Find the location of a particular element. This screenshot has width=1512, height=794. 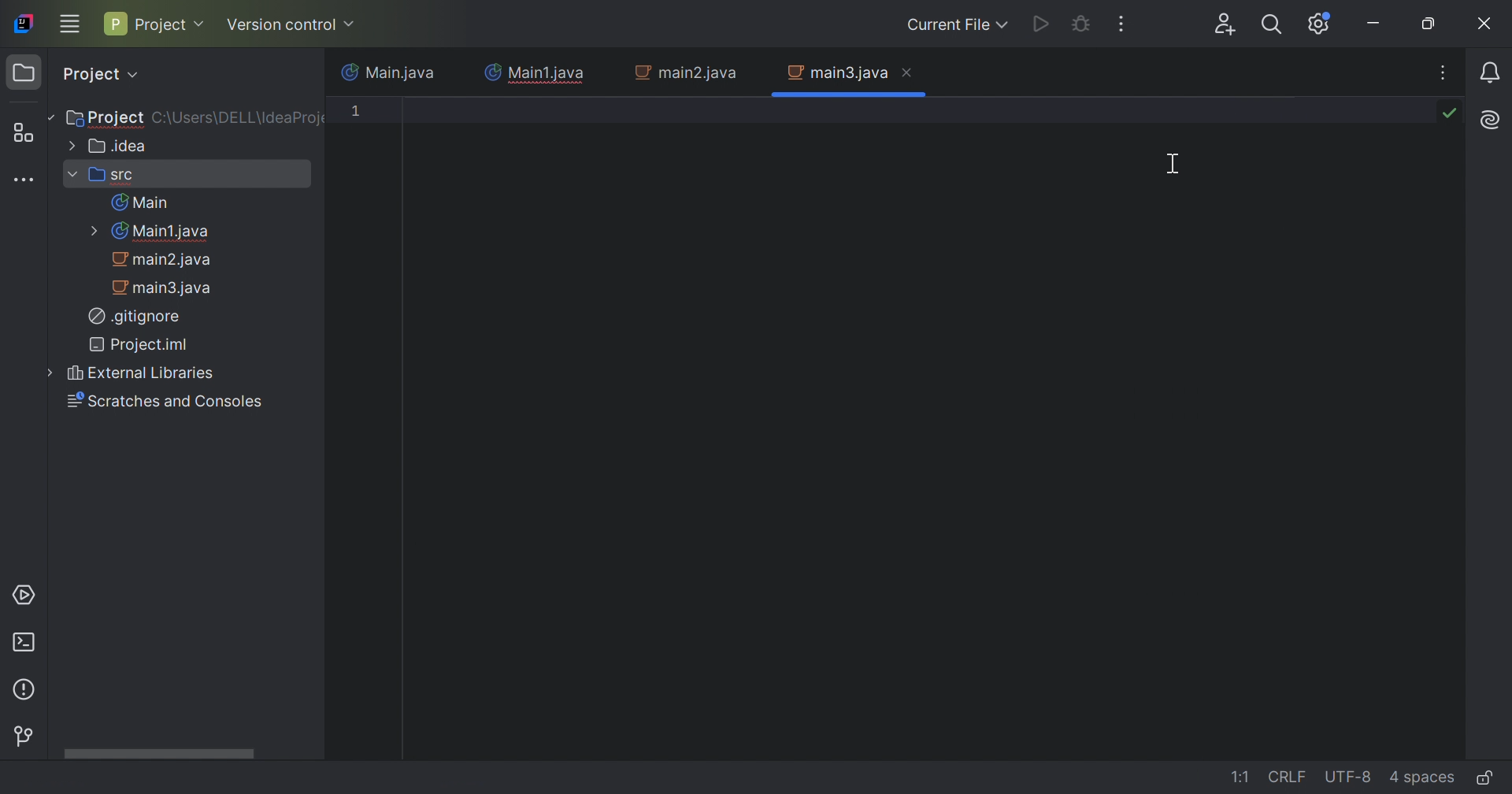

4 spaces is located at coordinates (1421, 778).